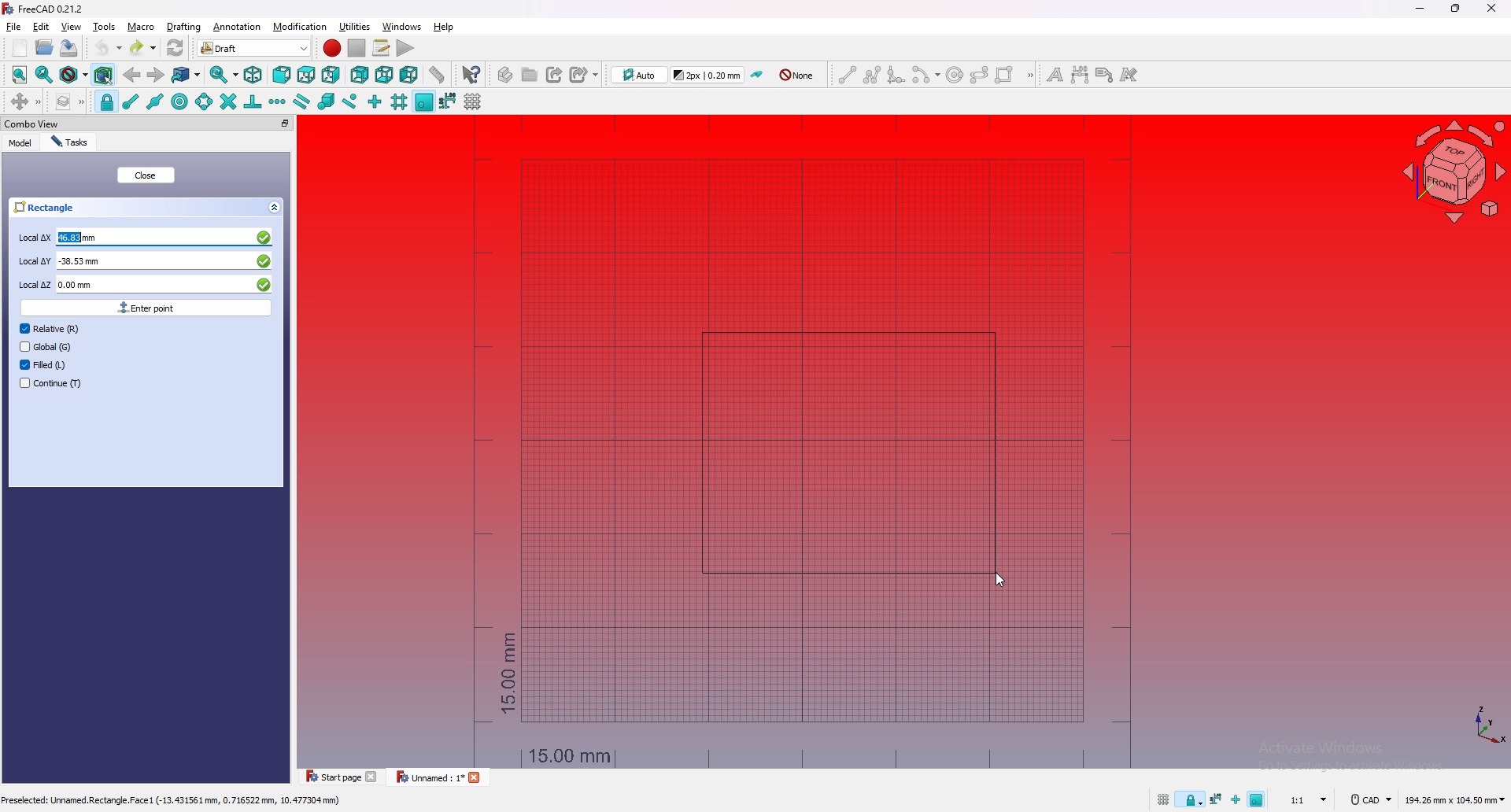 The height and width of the screenshot is (812, 1511). I want to click on -38.53 mm, so click(164, 260).